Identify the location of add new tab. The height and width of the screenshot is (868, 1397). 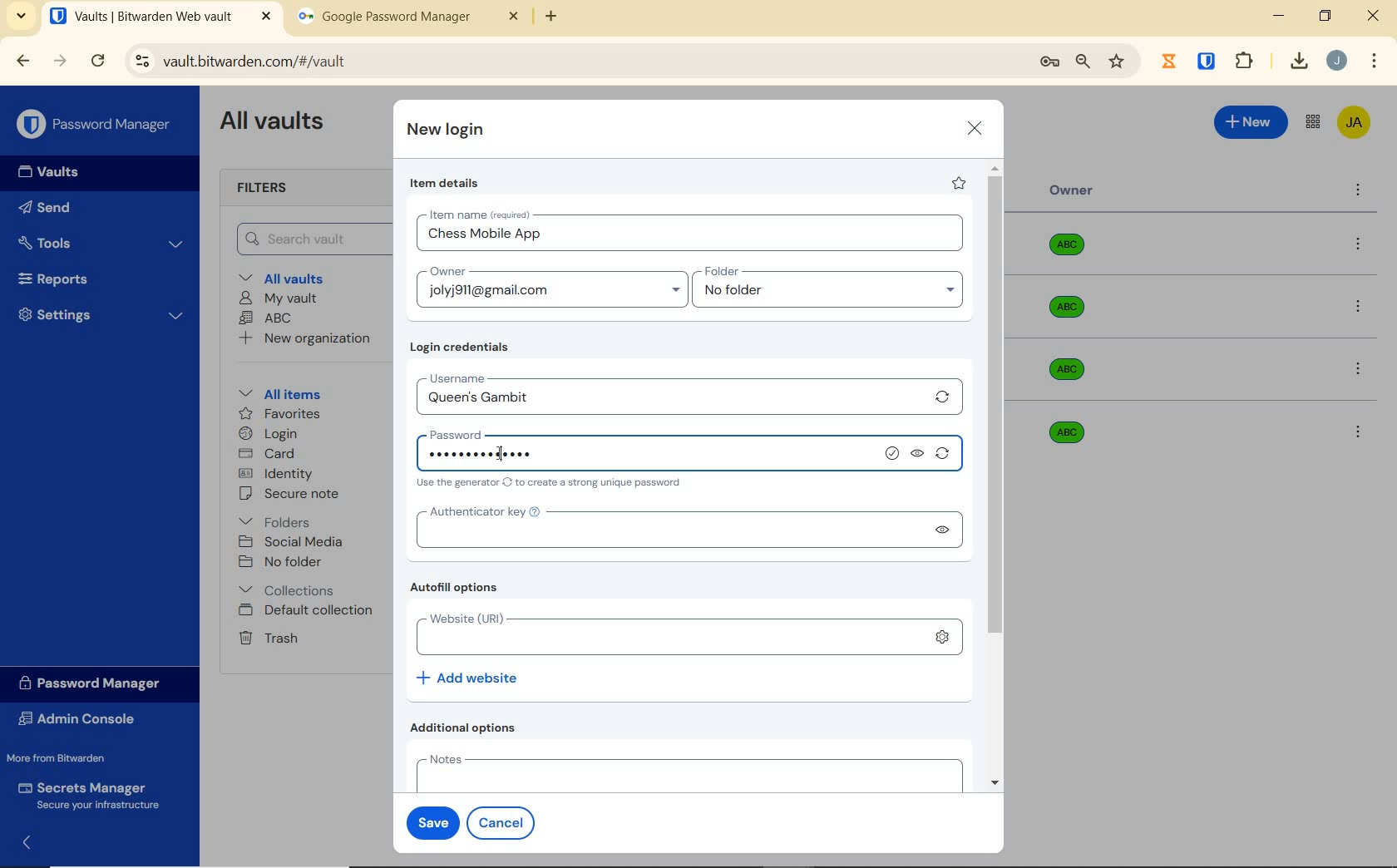
(564, 21).